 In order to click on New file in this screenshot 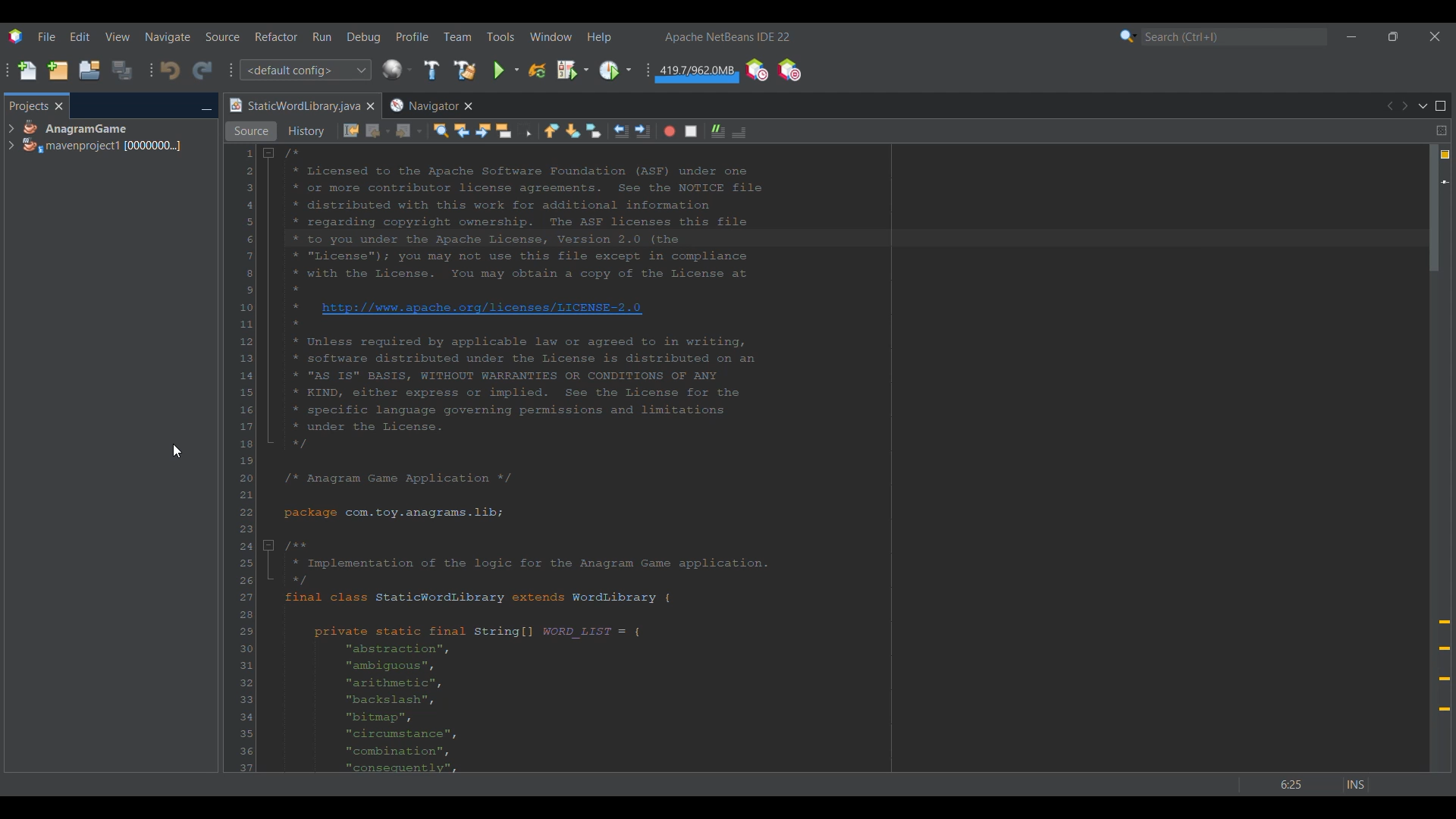, I will do `click(27, 71)`.